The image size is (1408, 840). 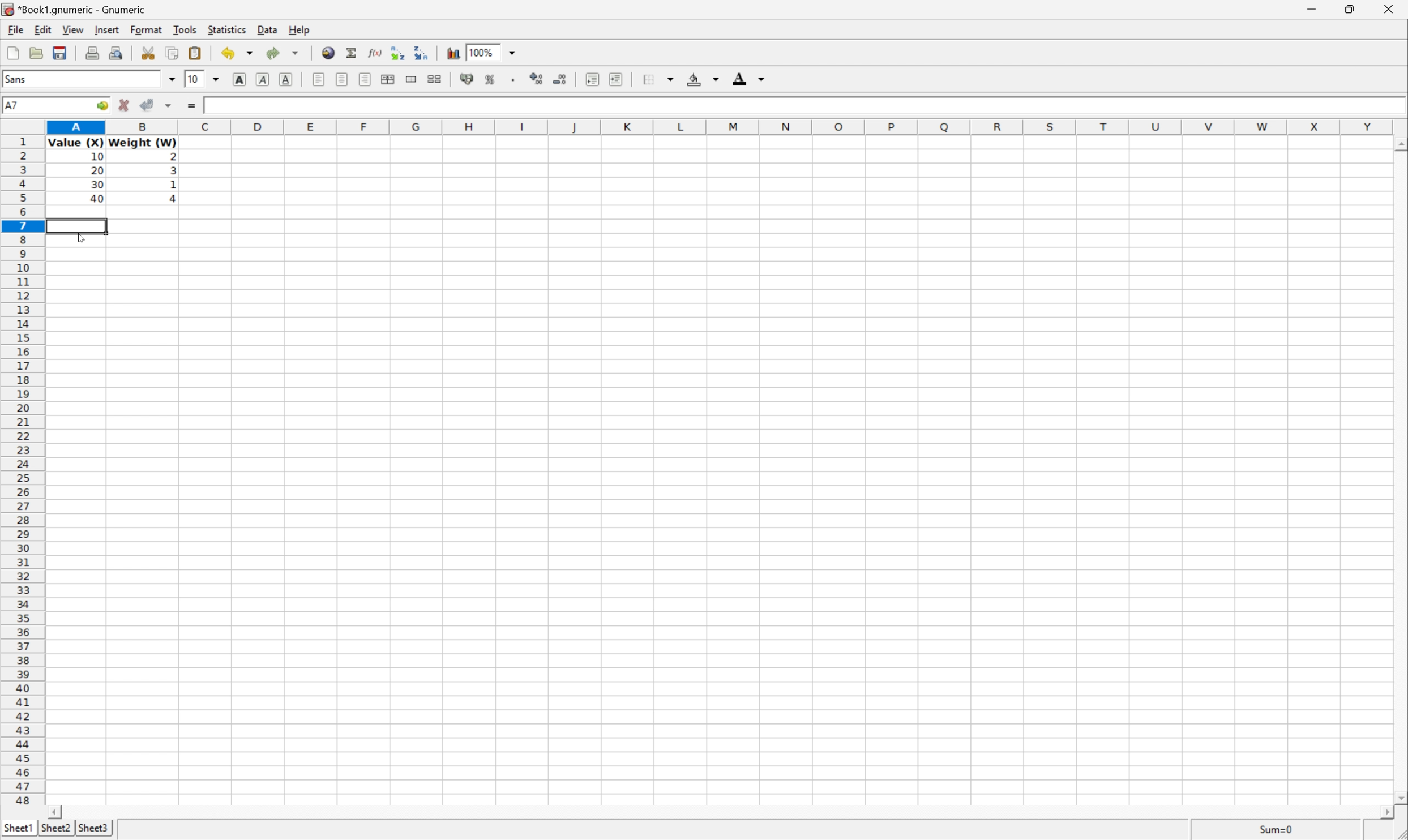 I want to click on Accept changes in multiple cells, so click(x=168, y=107).